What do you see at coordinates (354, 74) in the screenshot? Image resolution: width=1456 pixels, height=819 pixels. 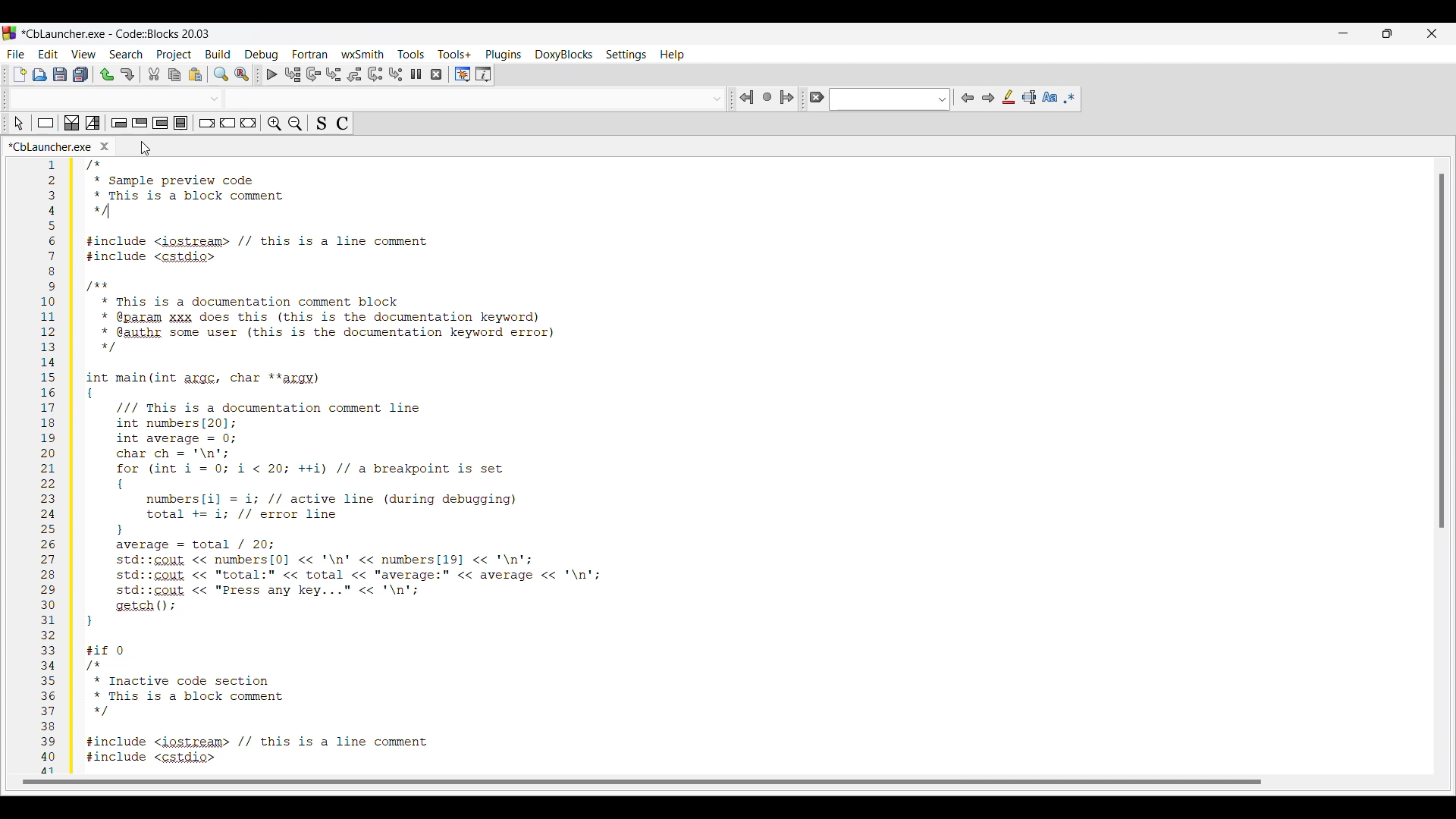 I see `Step out` at bounding box center [354, 74].